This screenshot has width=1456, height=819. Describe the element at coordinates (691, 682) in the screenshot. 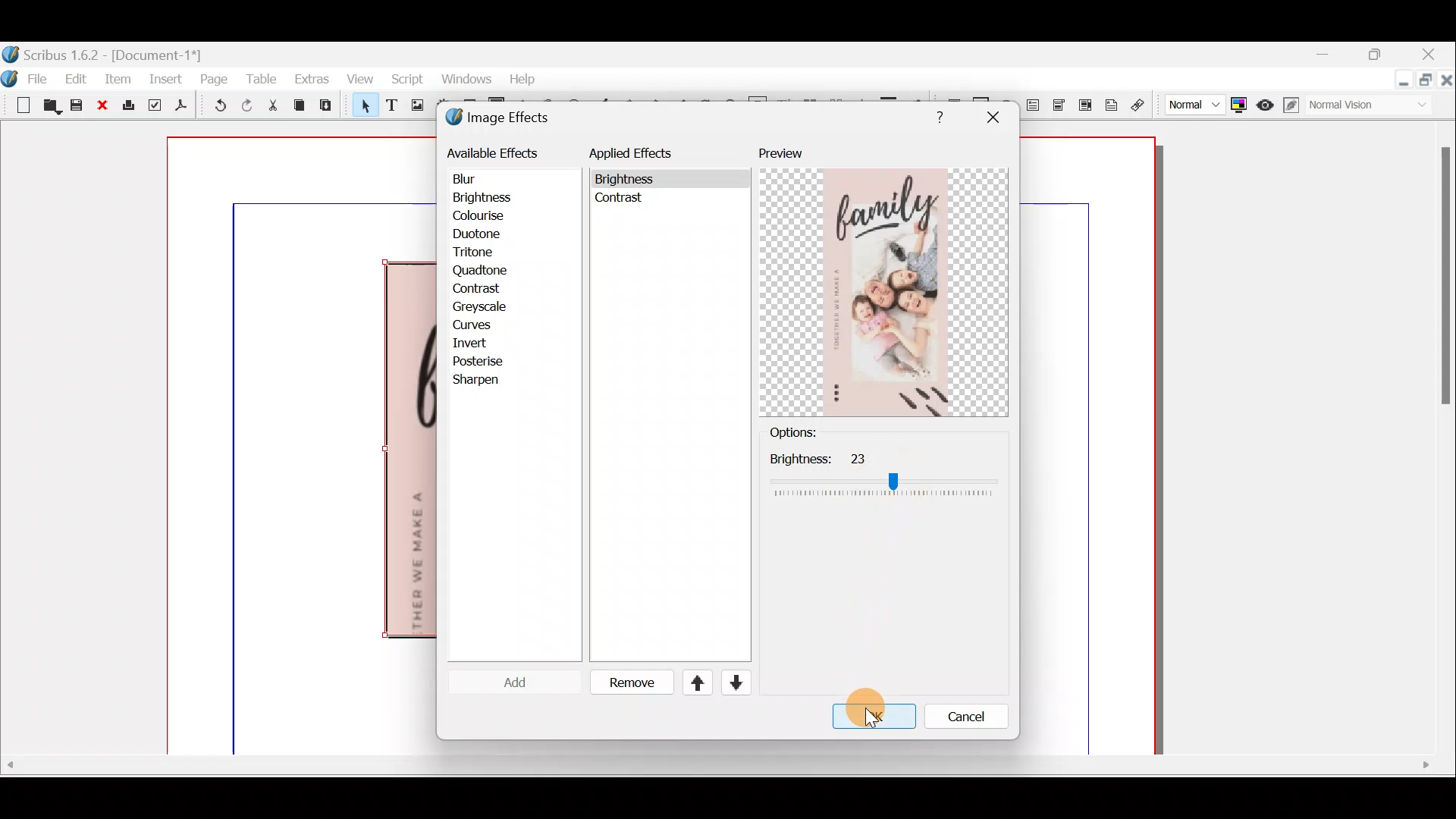

I see `Move up` at that location.